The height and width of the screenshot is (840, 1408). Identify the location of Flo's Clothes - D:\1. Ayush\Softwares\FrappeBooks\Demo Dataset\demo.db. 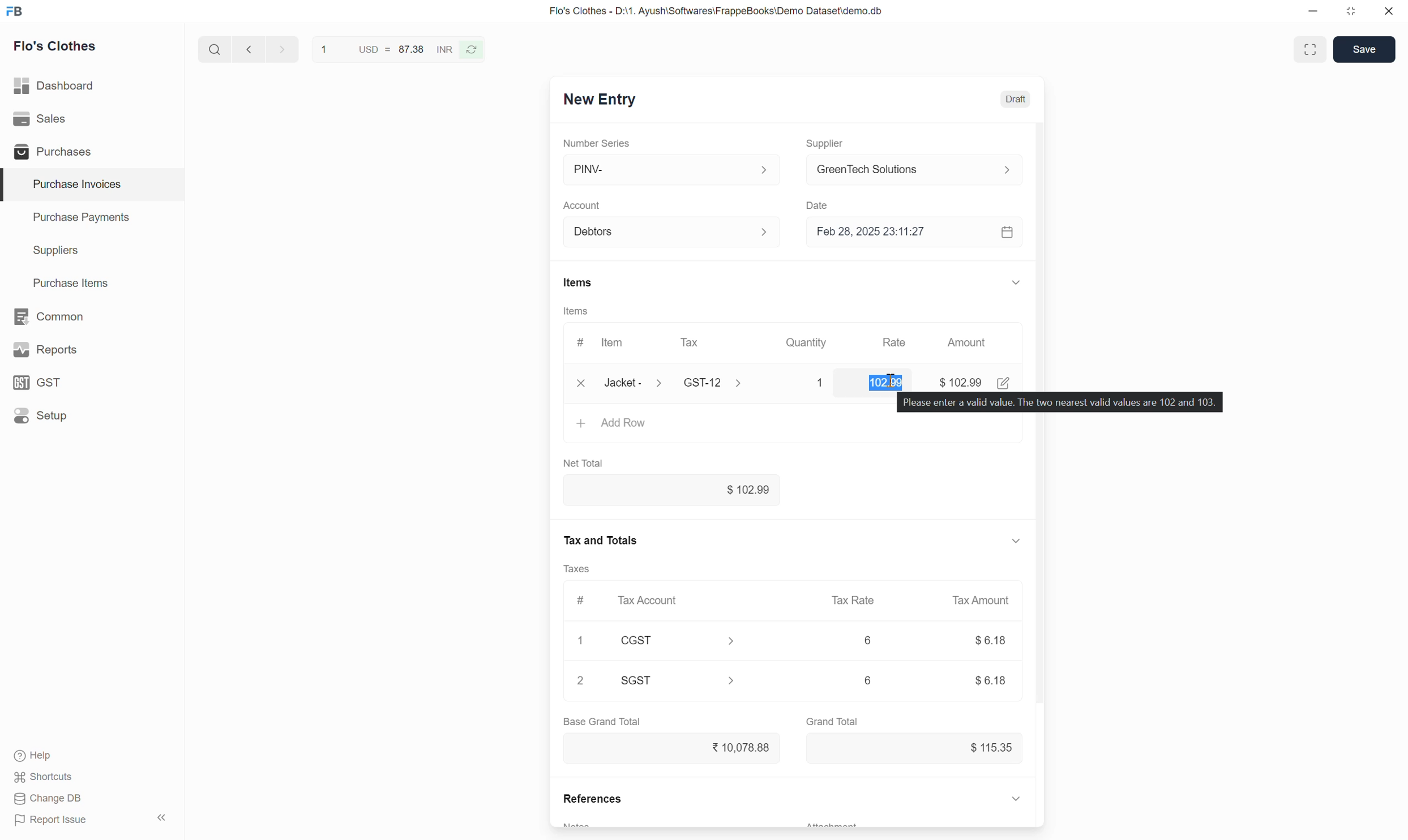
(717, 11).